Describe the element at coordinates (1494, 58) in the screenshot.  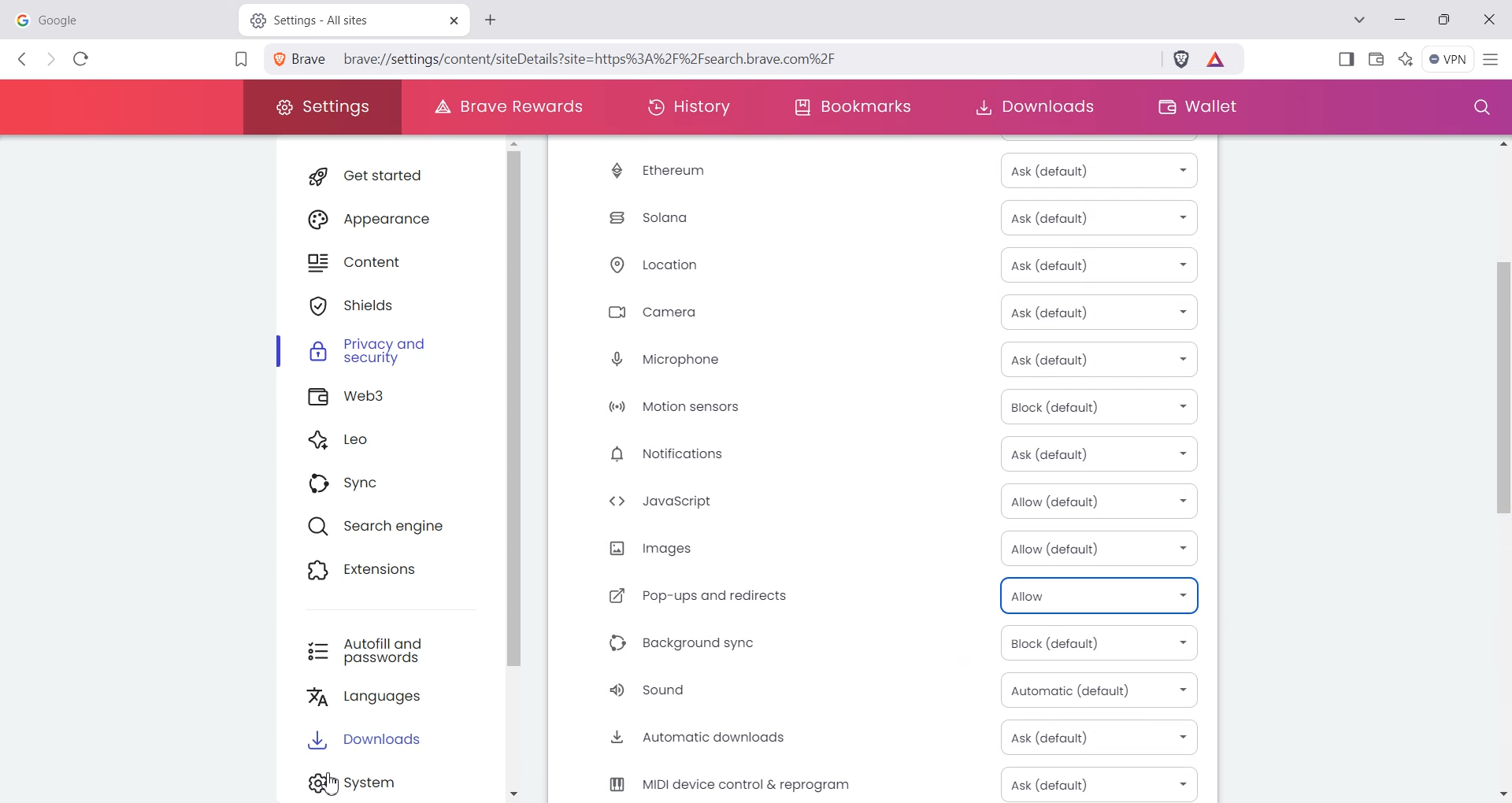
I see `Hamburger Settings` at that location.